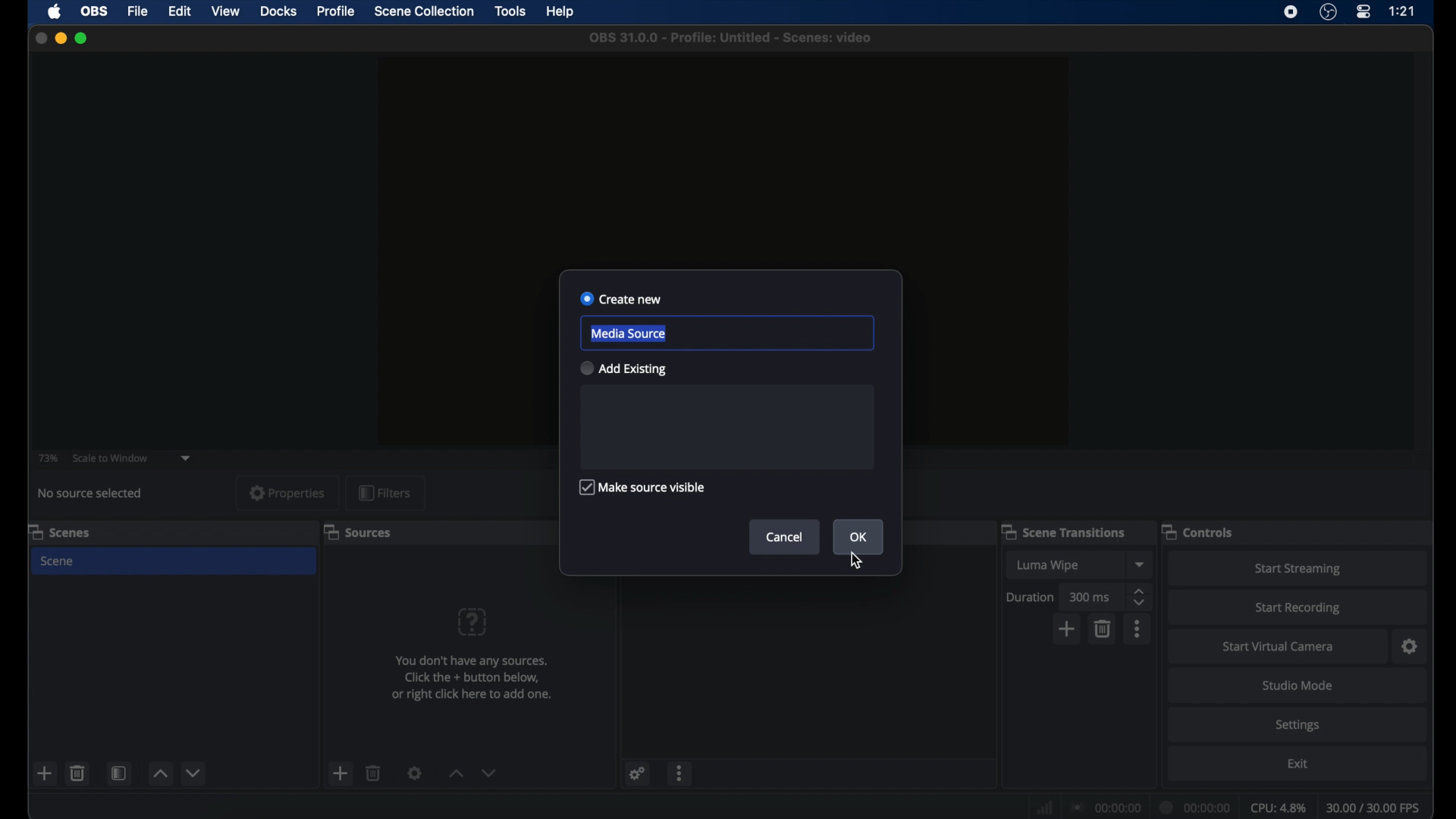  I want to click on delete, so click(77, 773).